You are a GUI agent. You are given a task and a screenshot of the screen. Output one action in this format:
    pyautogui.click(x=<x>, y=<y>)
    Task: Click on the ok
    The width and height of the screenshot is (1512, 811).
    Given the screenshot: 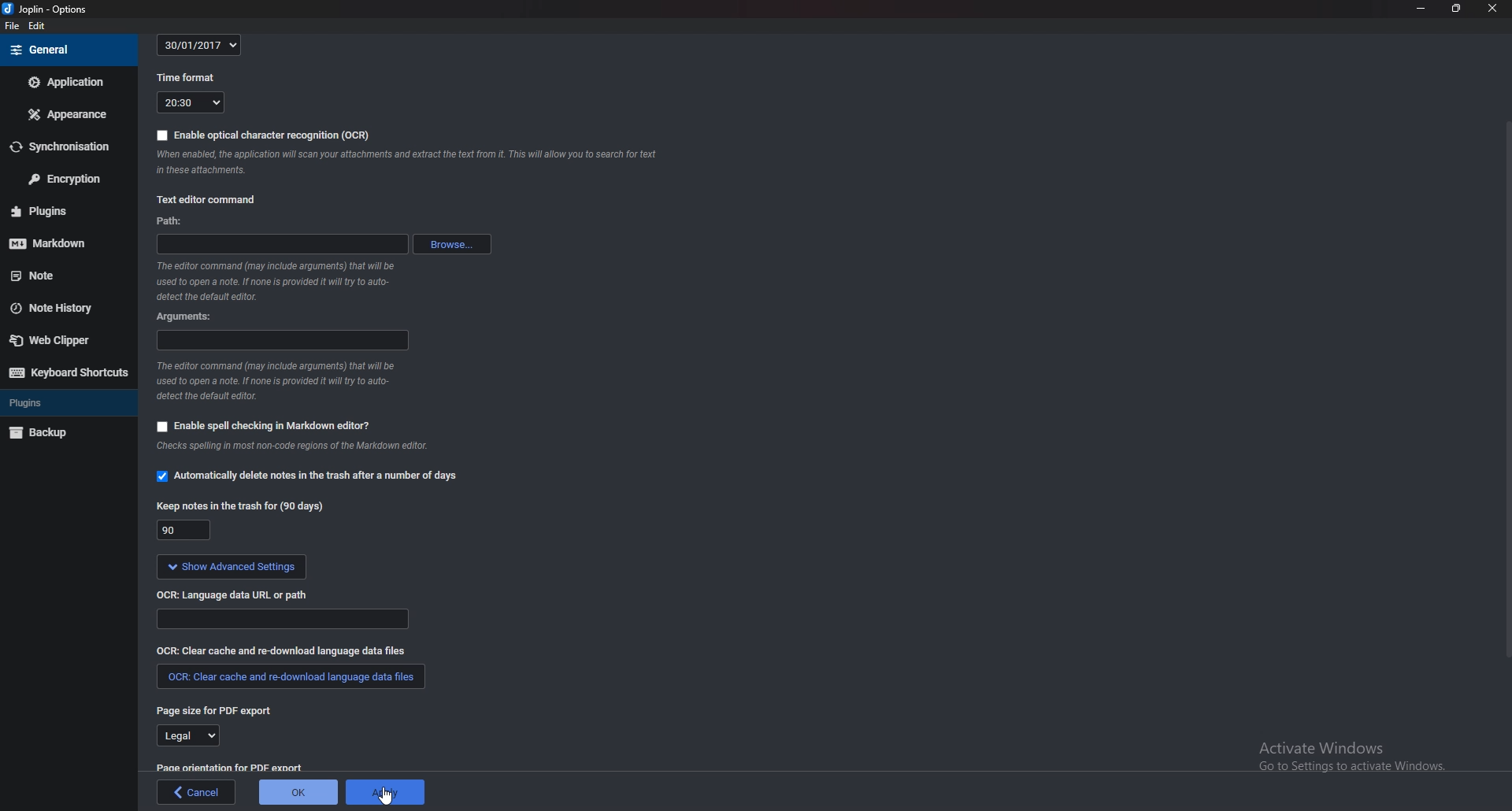 What is the action you would take?
    pyautogui.click(x=298, y=792)
    